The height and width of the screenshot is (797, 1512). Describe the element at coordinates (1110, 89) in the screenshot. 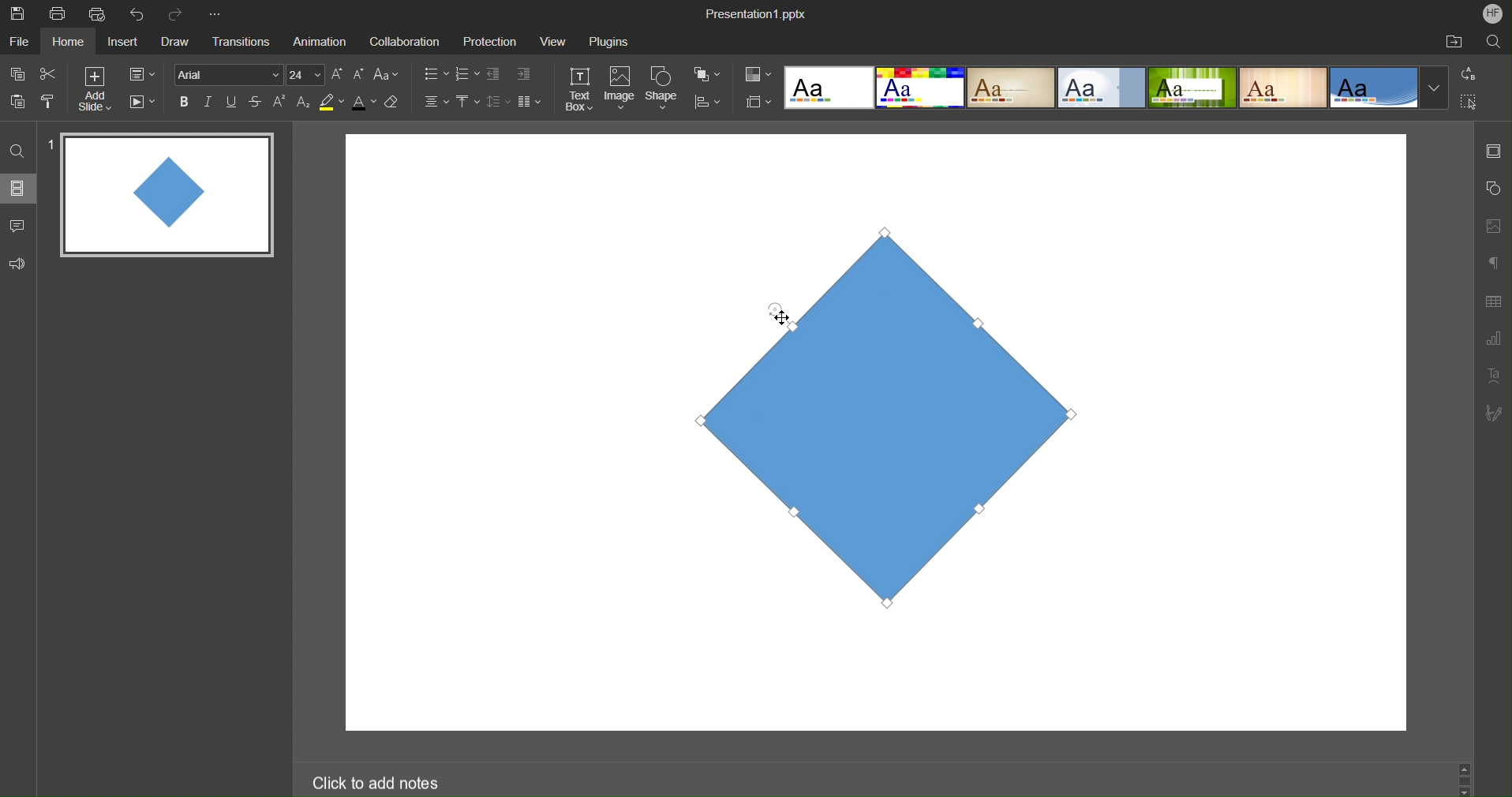

I see `Presentation Template` at that location.